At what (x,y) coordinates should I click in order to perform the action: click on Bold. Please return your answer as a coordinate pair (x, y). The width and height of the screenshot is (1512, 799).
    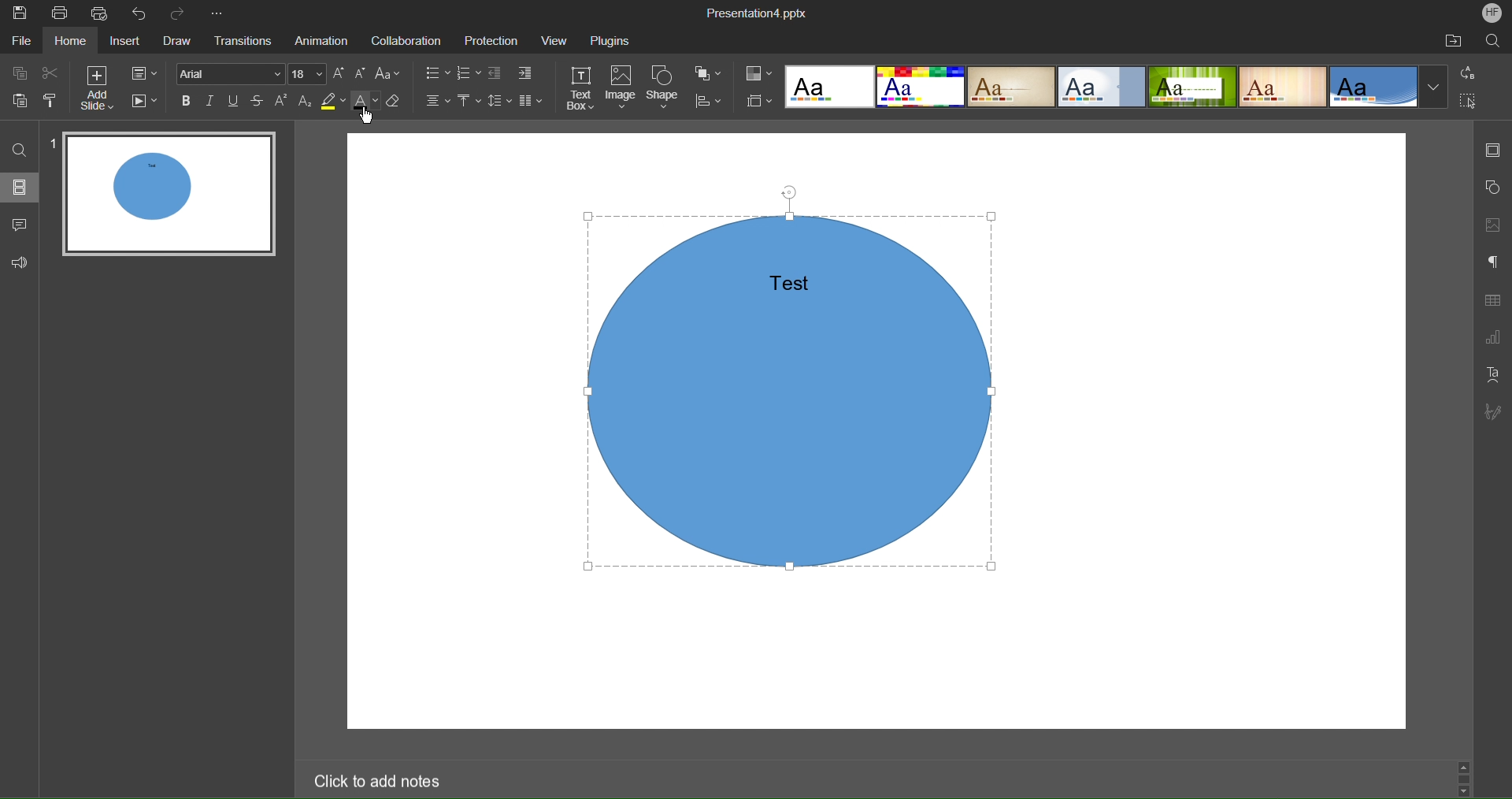
    Looking at the image, I should click on (188, 103).